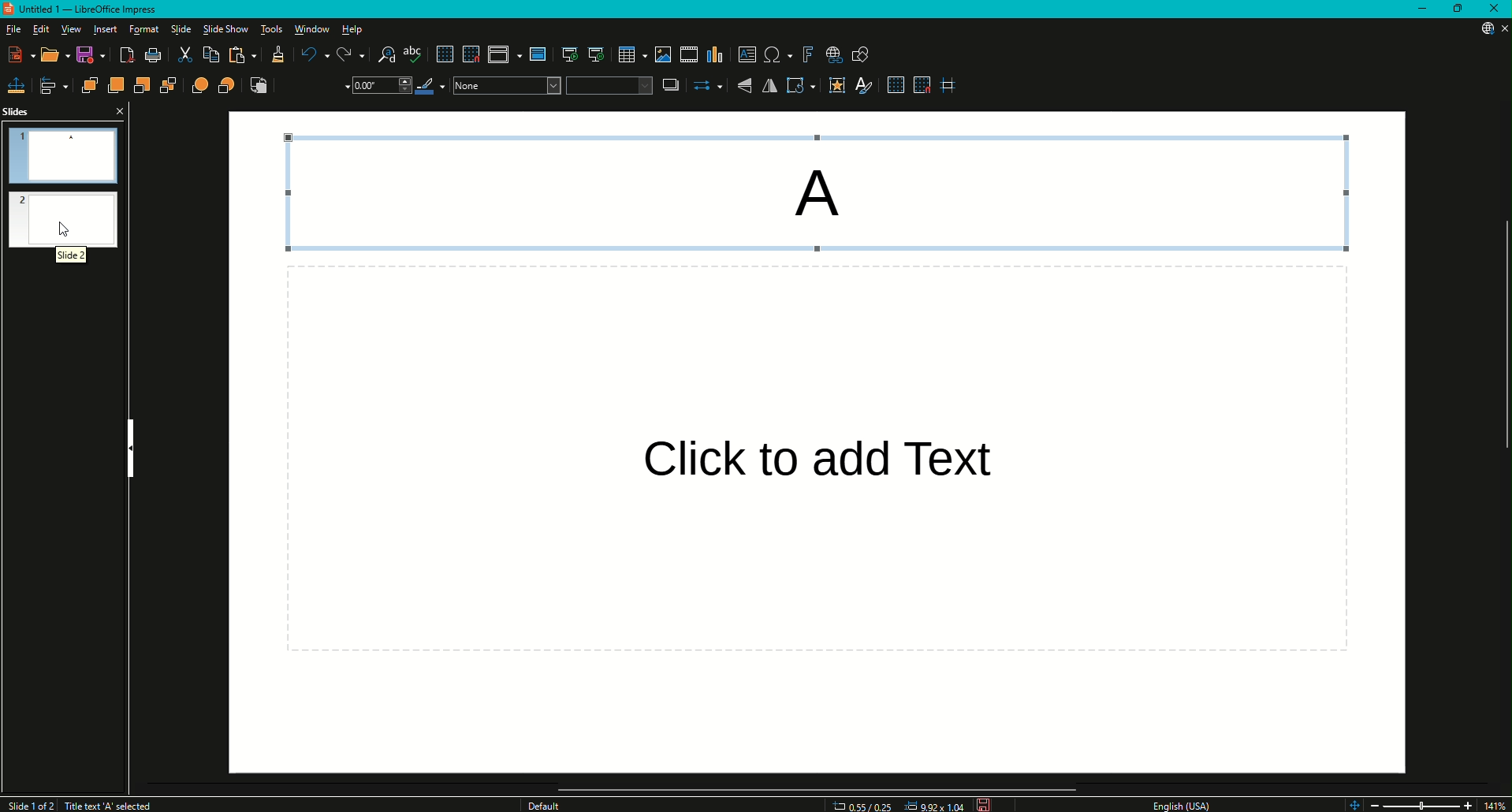 The width and height of the screenshot is (1512, 812). What do you see at coordinates (810, 189) in the screenshot?
I see `A` at bounding box center [810, 189].